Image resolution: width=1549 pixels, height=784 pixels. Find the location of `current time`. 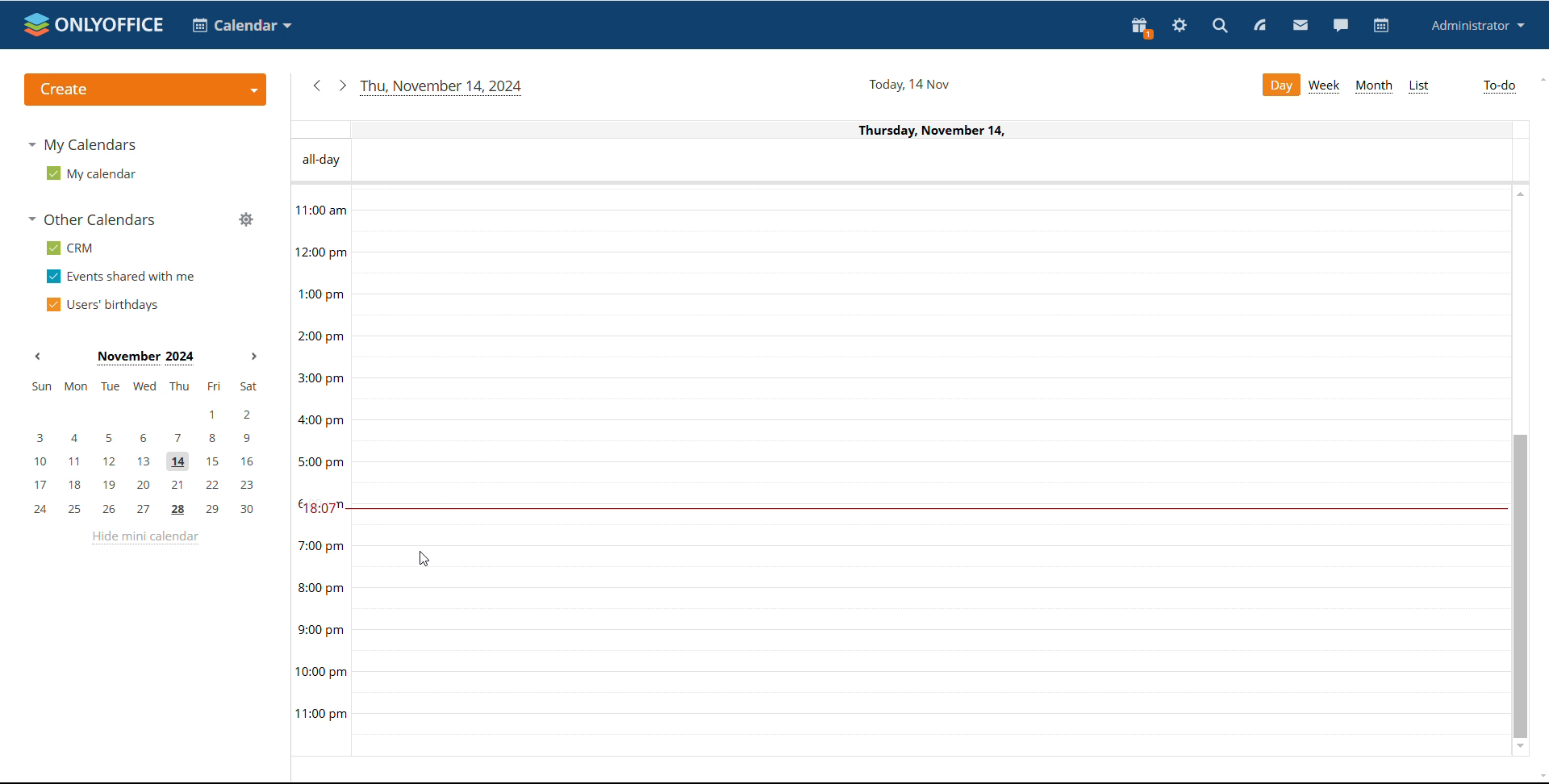

current time is located at coordinates (928, 508).